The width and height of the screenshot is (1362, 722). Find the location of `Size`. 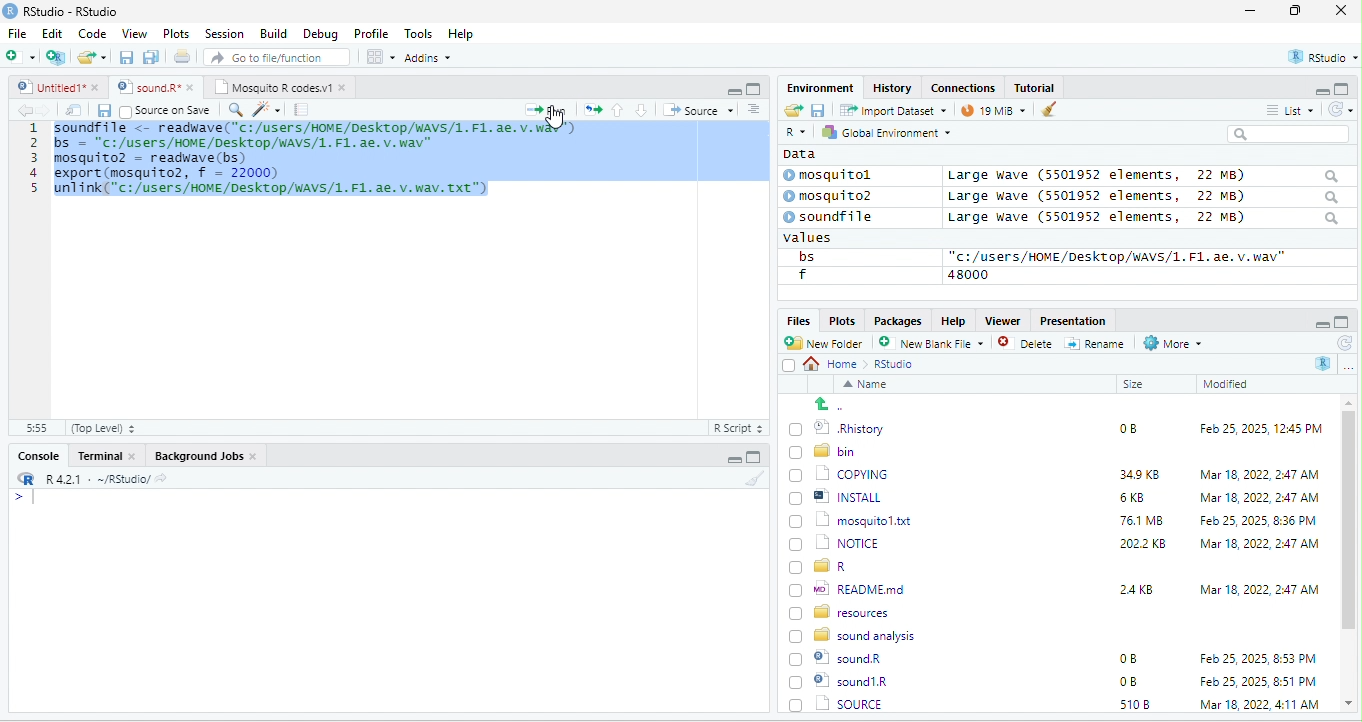

Size is located at coordinates (1134, 385).